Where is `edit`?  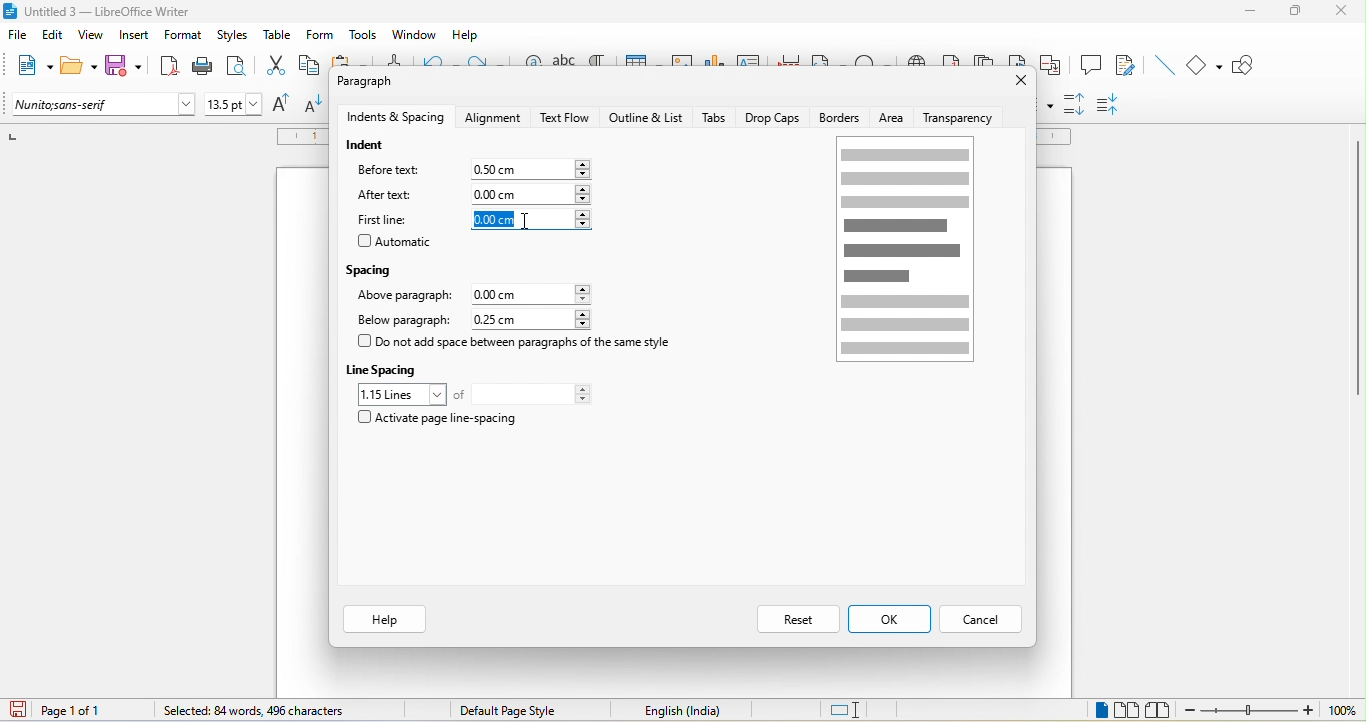 edit is located at coordinates (54, 38).